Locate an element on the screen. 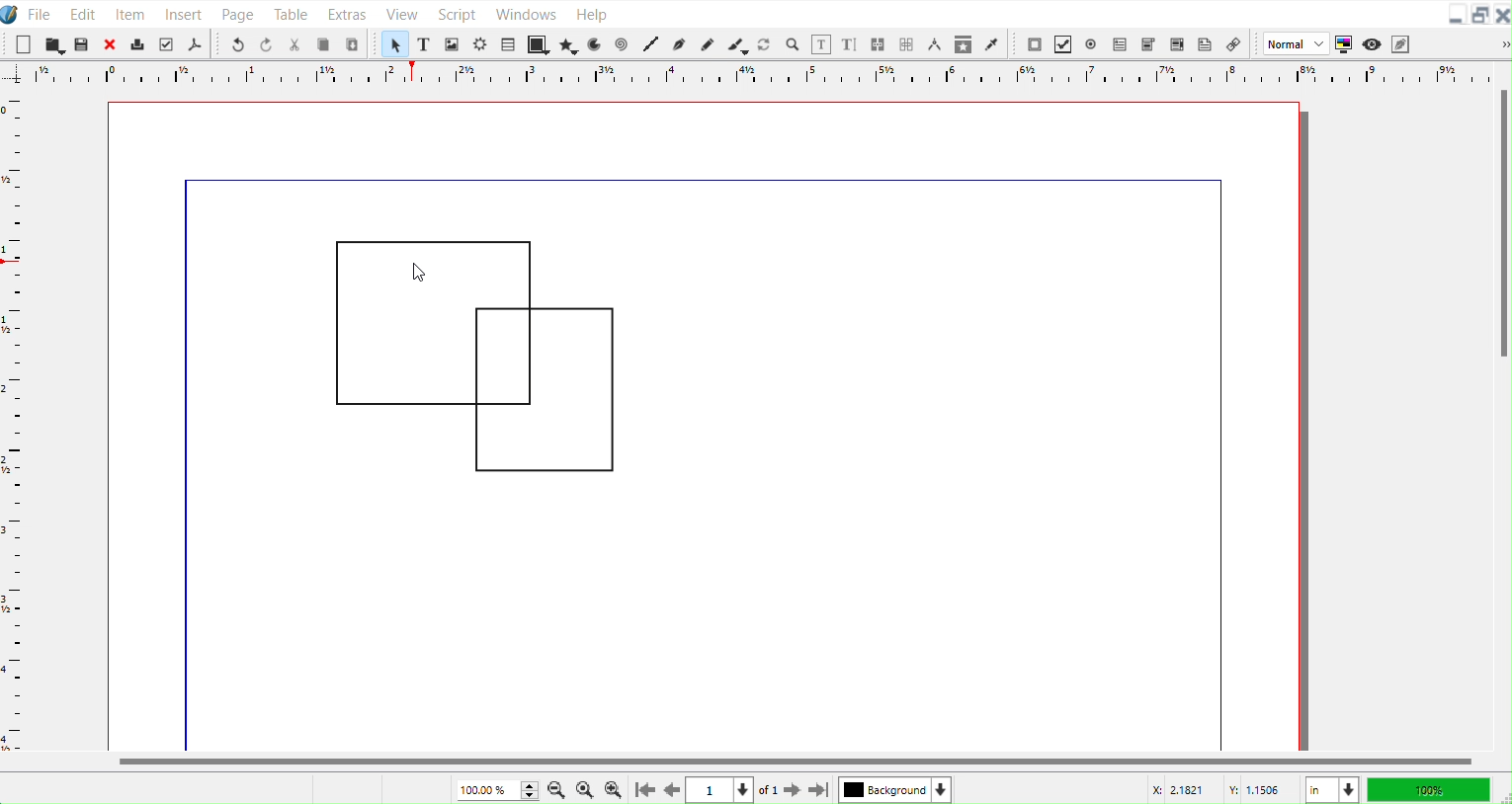 The width and height of the screenshot is (1512, 804). Eye dropper is located at coordinates (992, 43).